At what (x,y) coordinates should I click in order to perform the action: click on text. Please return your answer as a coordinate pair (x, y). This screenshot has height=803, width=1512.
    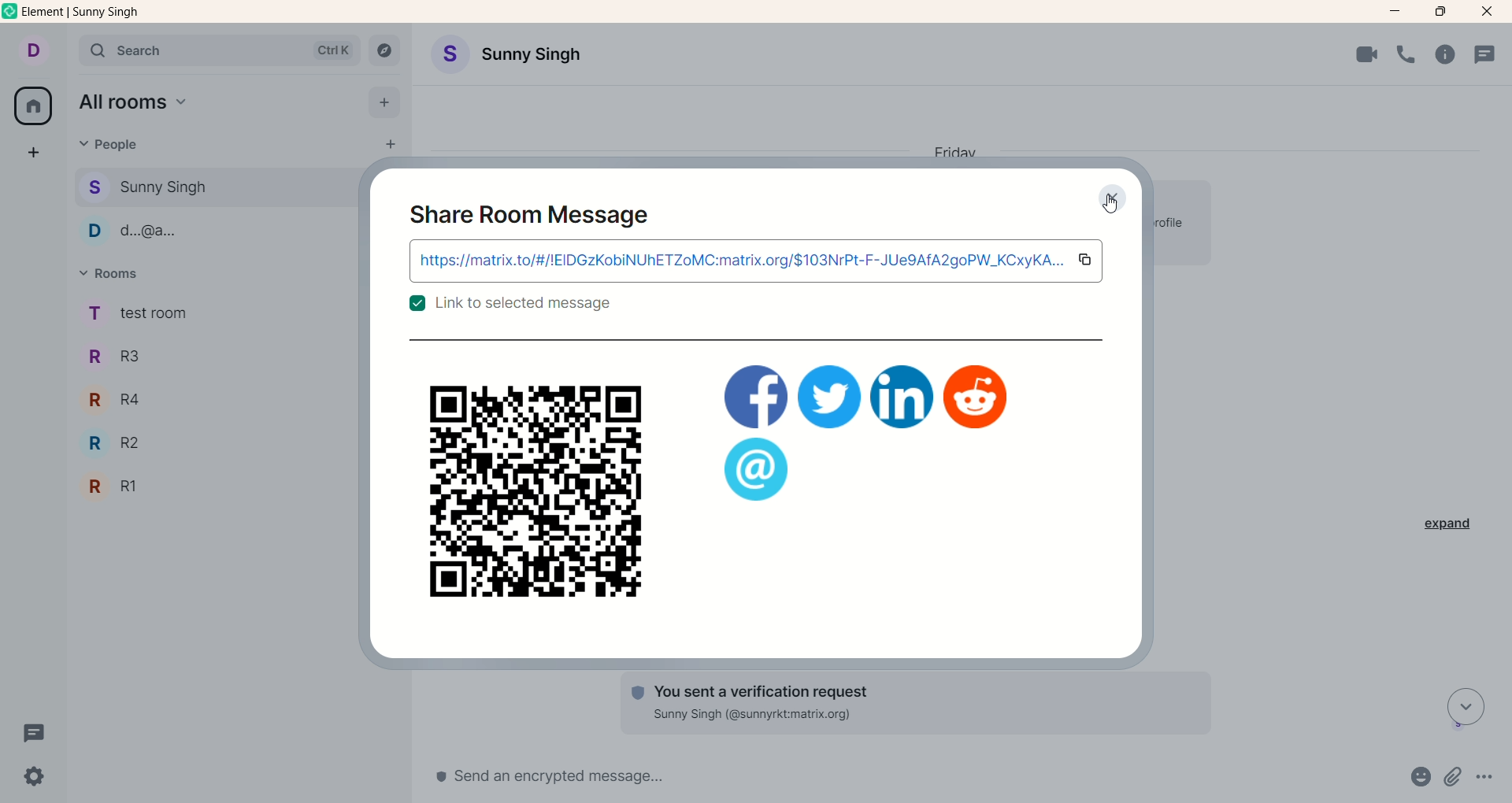
    Looking at the image, I should click on (905, 702).